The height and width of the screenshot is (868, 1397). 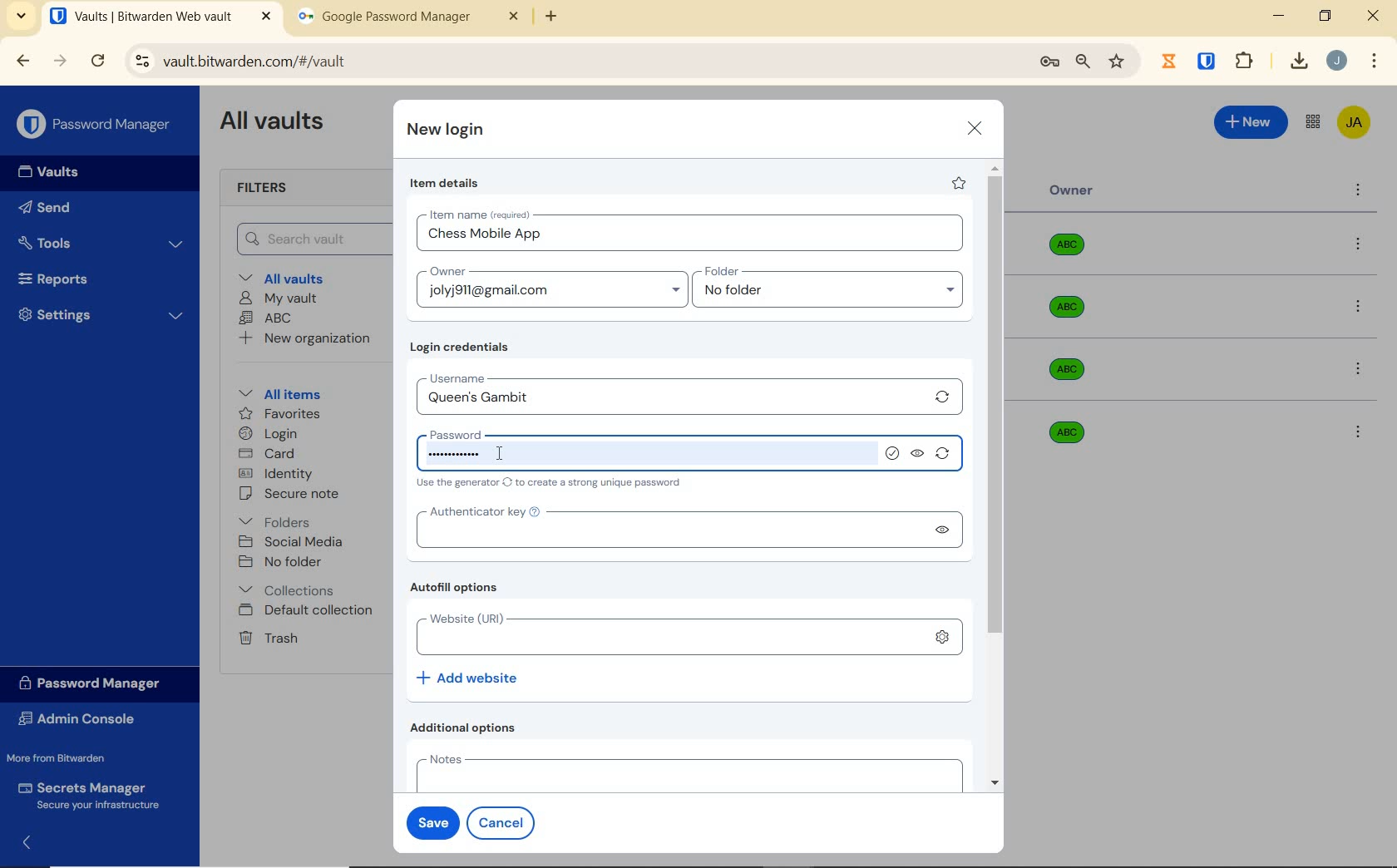 I want to click on close, so click(x=975, y=128).